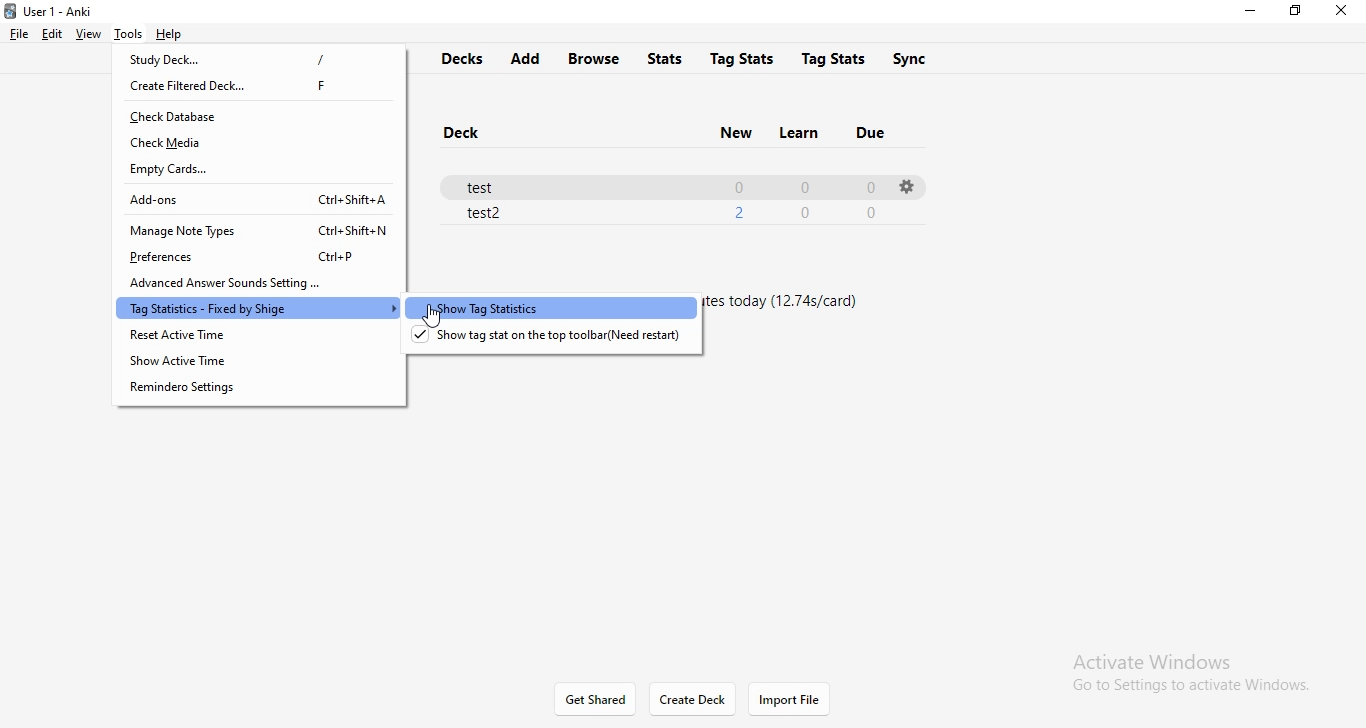 This screenshot has width=1366, height=728. I want to click on show tag on the .., so click(560, 342).